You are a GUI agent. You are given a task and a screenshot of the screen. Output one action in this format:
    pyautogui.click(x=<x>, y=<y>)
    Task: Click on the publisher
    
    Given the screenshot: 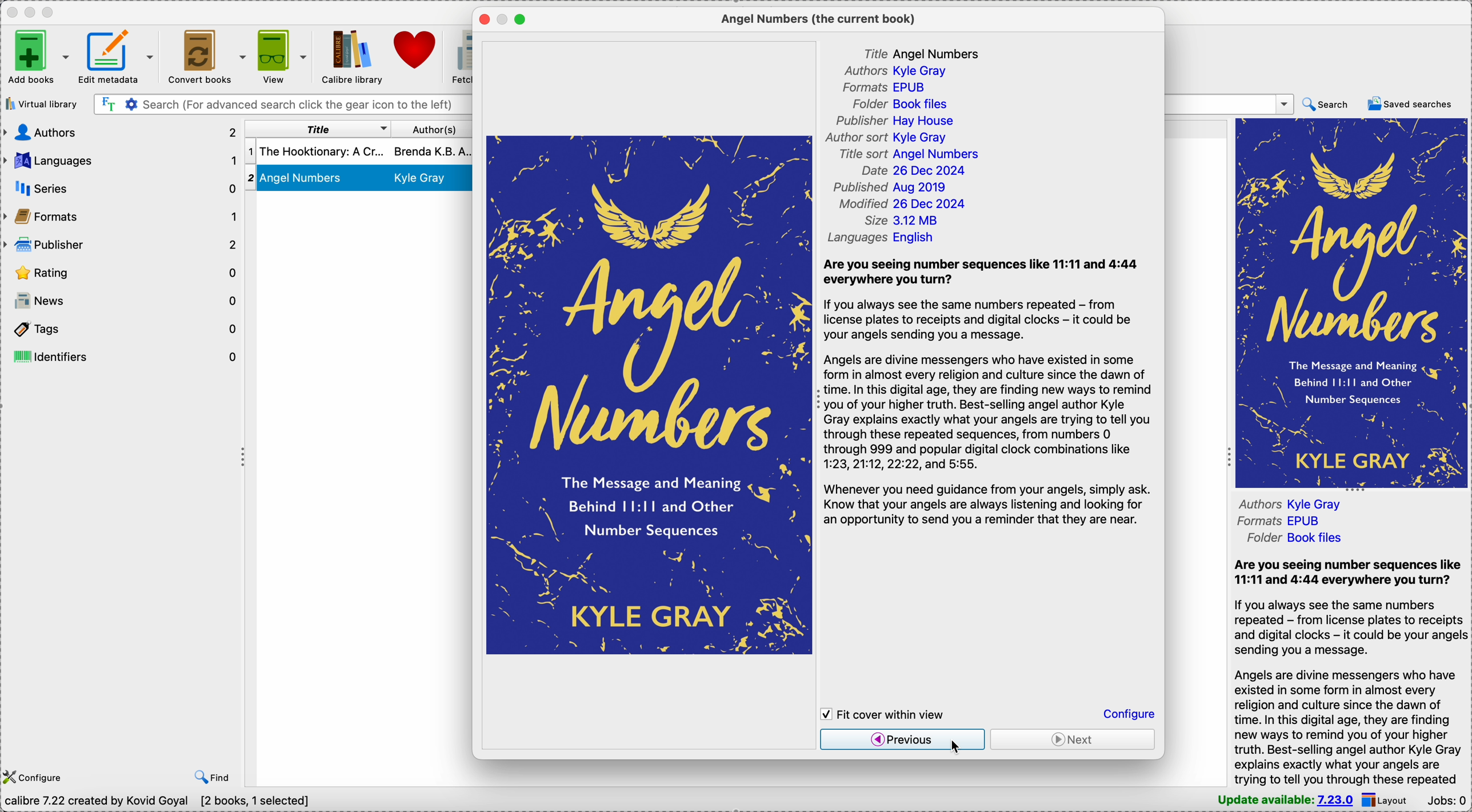 What is the action you would take?
    pyautogui.click(x=895, y=121)
    